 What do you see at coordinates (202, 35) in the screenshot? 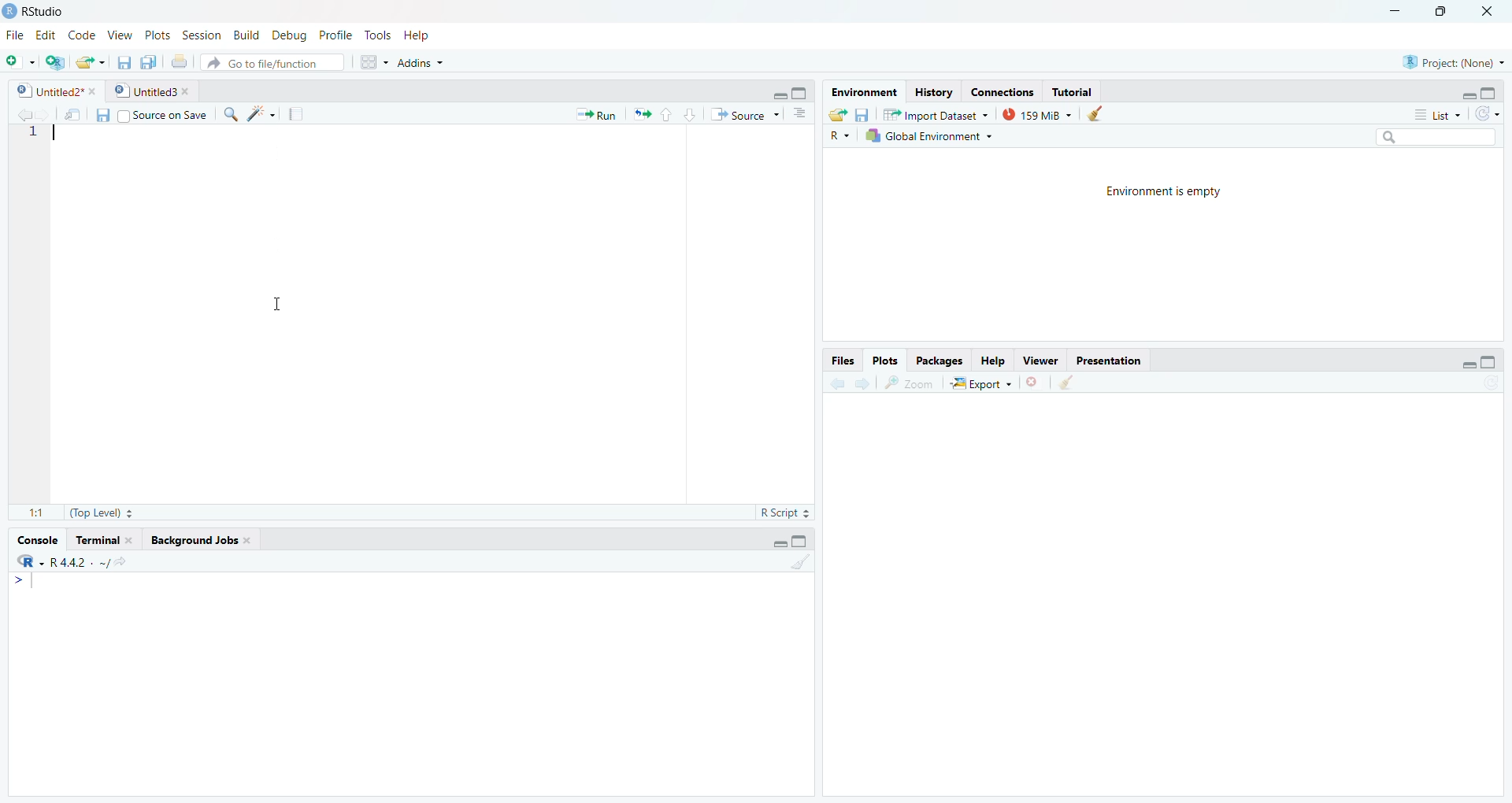
I see `Session` at bounding box center [202, 35].